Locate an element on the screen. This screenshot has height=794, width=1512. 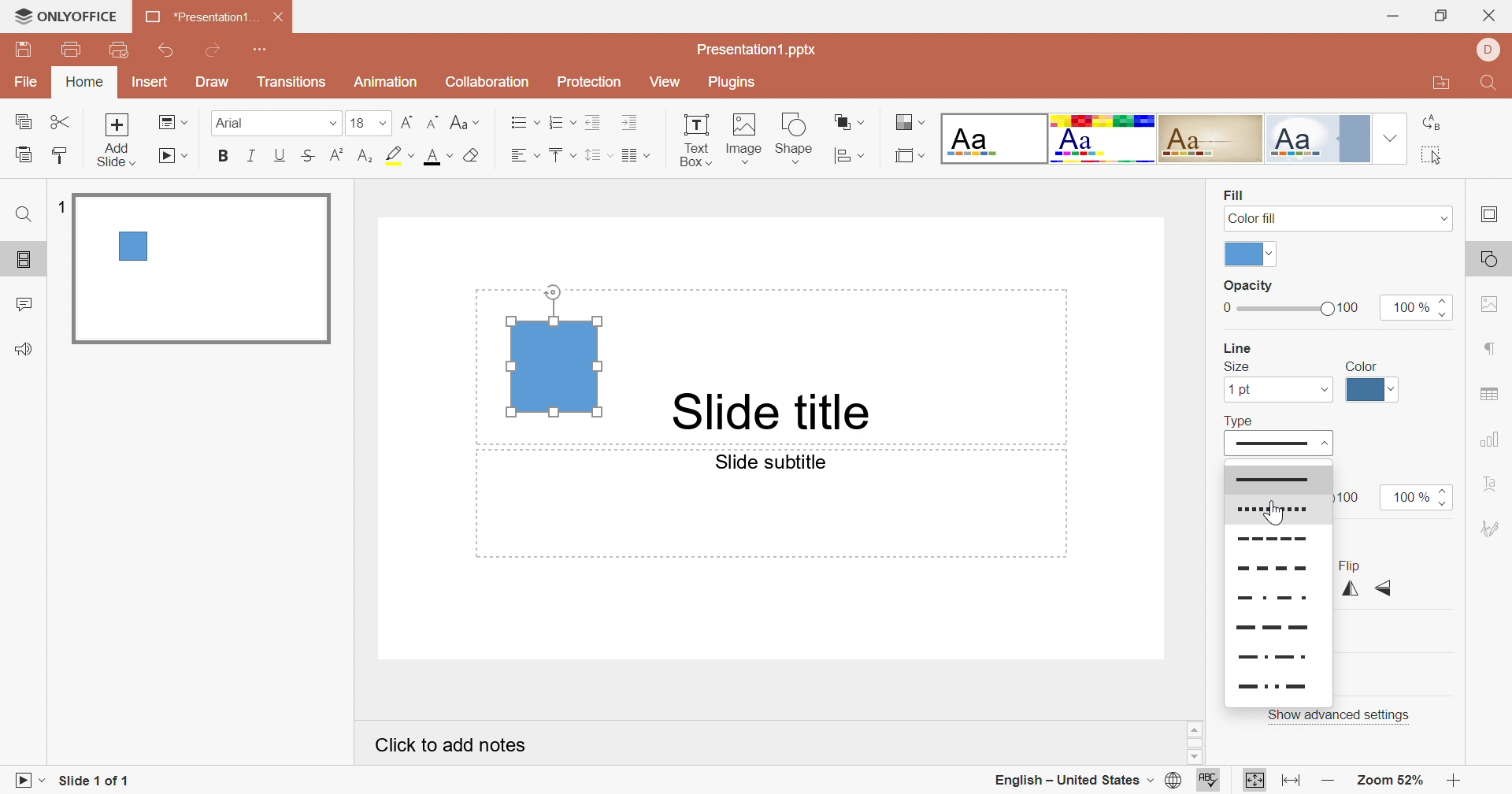
Draw is located at coordinates (217, 84).